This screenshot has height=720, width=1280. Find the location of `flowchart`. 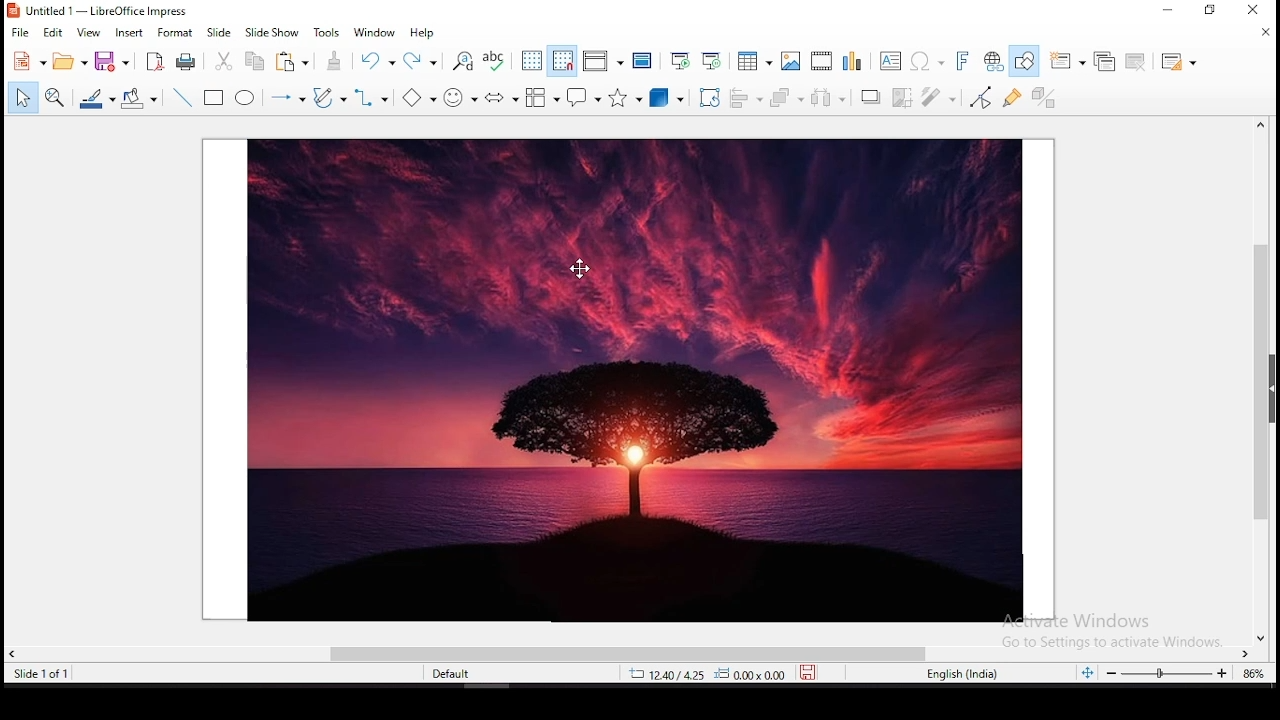

flowchart is located at coordinates (541, 97).